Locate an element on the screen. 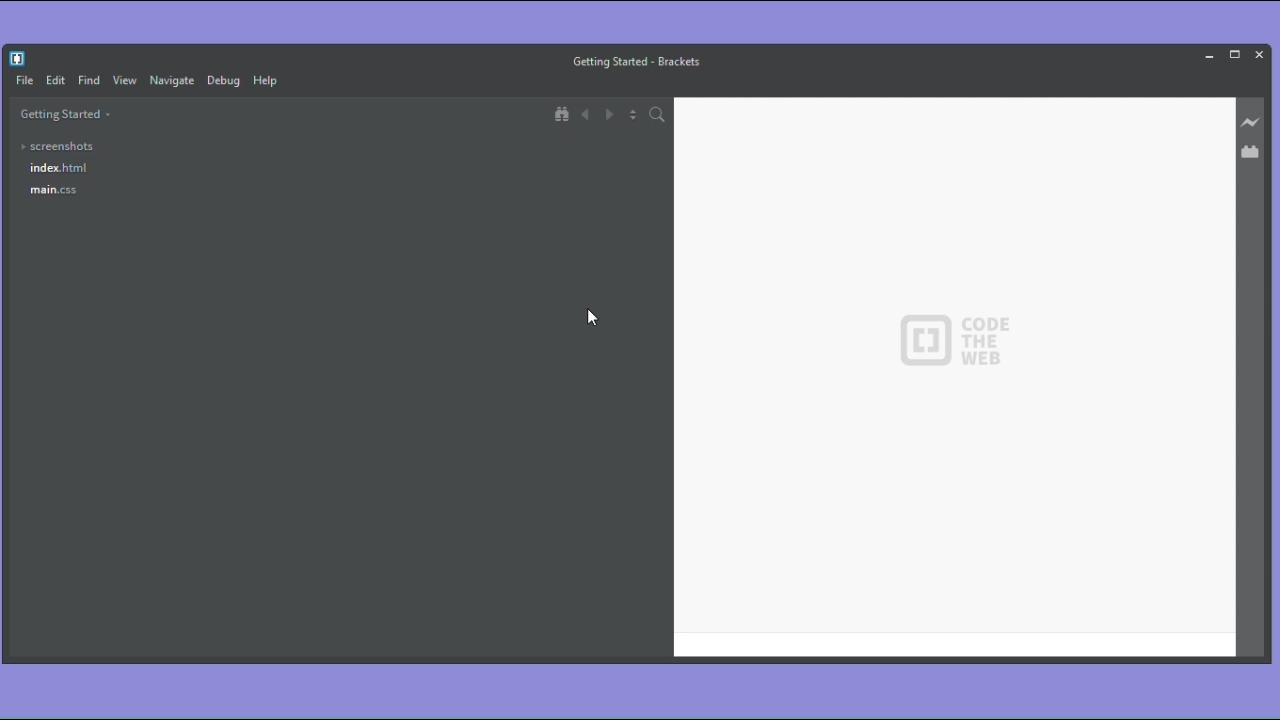  File is located at coordinates (21, 82).